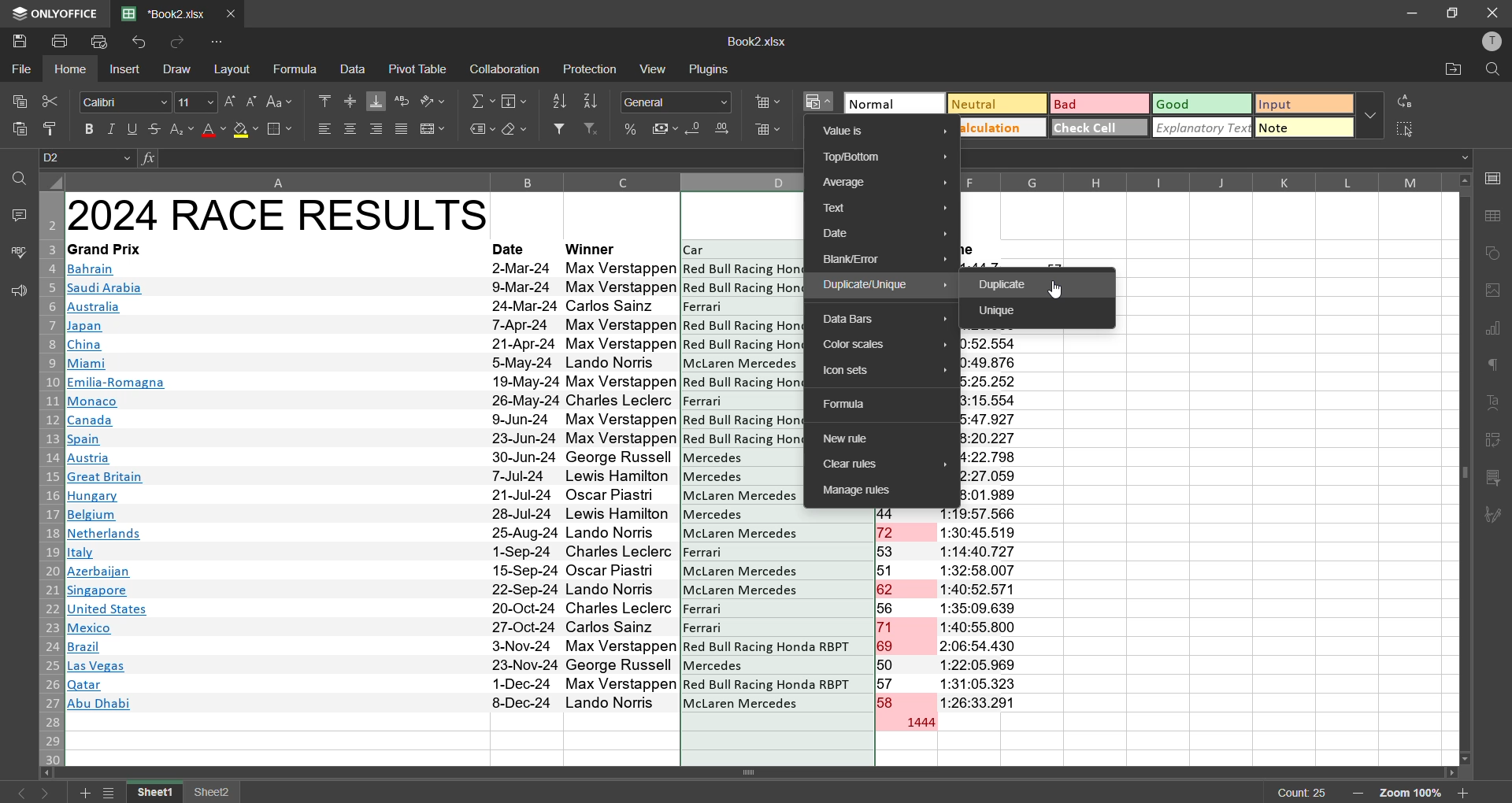 This screenshot has width=1512, height=803. I want to click on neutral, so click(993, 103).